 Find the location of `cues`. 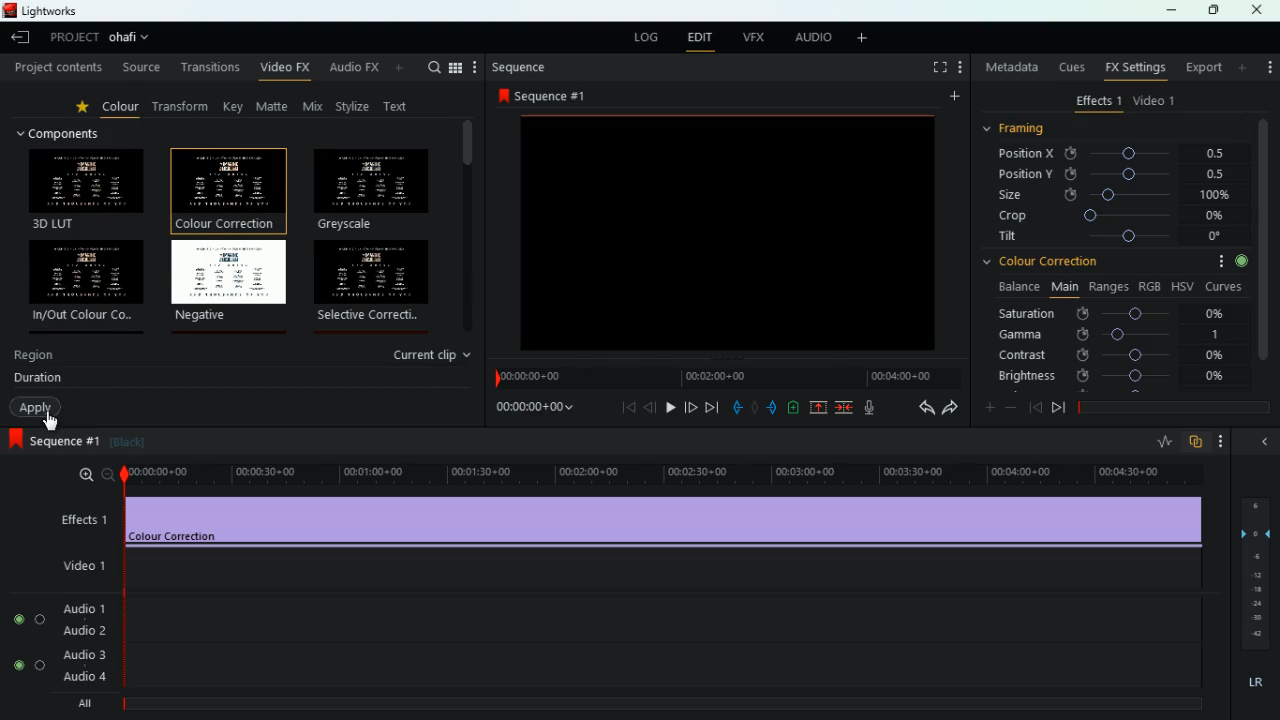

cues is located at coordinates (1073, 68).